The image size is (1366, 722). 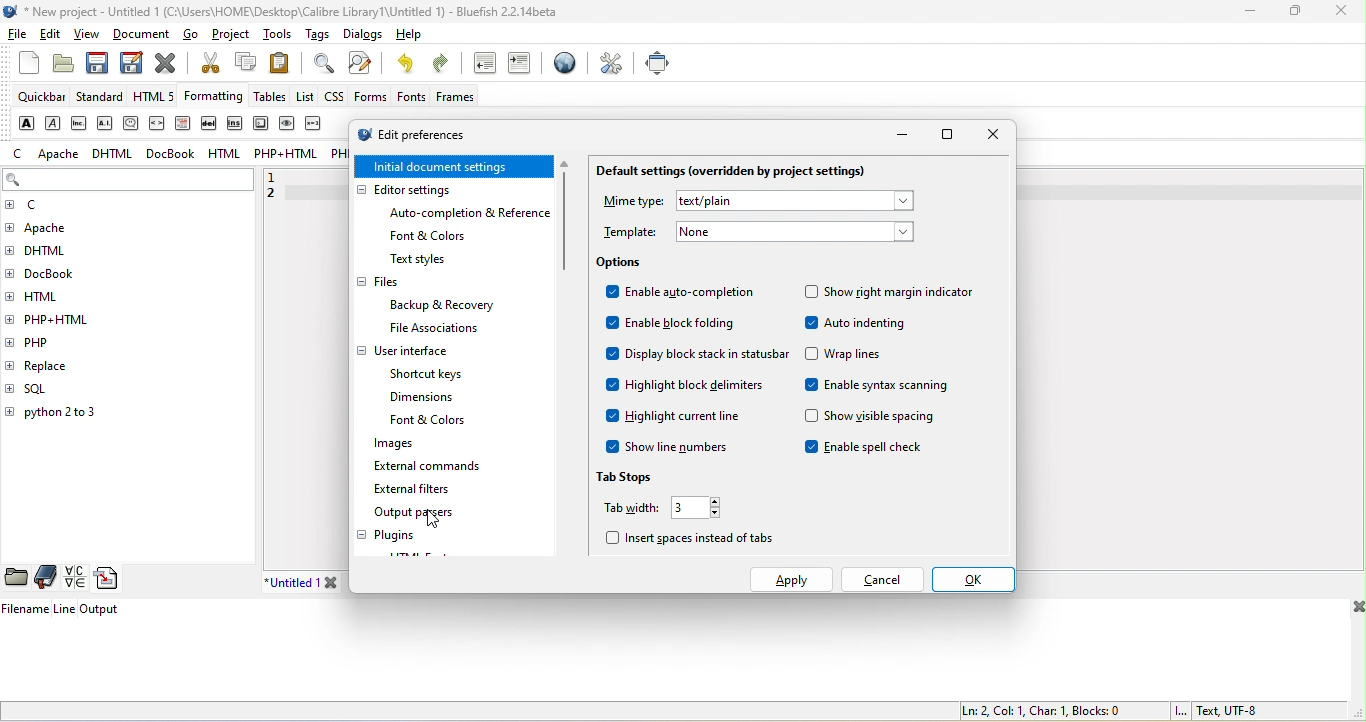 What do you see at coordinates (405, 37) in the screenshot?
I see `help` at bounding box center [405, 37].